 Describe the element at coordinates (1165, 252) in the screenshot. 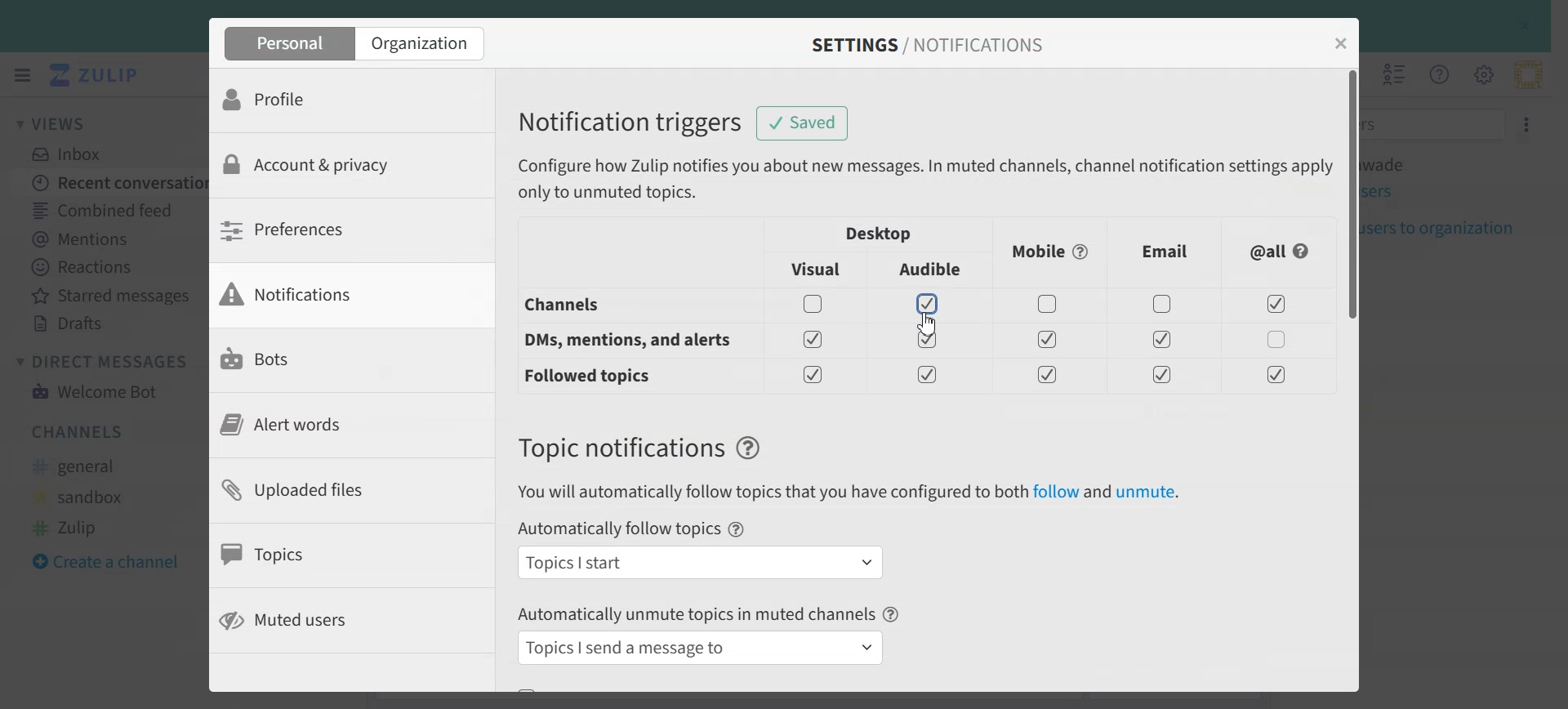

I see `Email` at that location.